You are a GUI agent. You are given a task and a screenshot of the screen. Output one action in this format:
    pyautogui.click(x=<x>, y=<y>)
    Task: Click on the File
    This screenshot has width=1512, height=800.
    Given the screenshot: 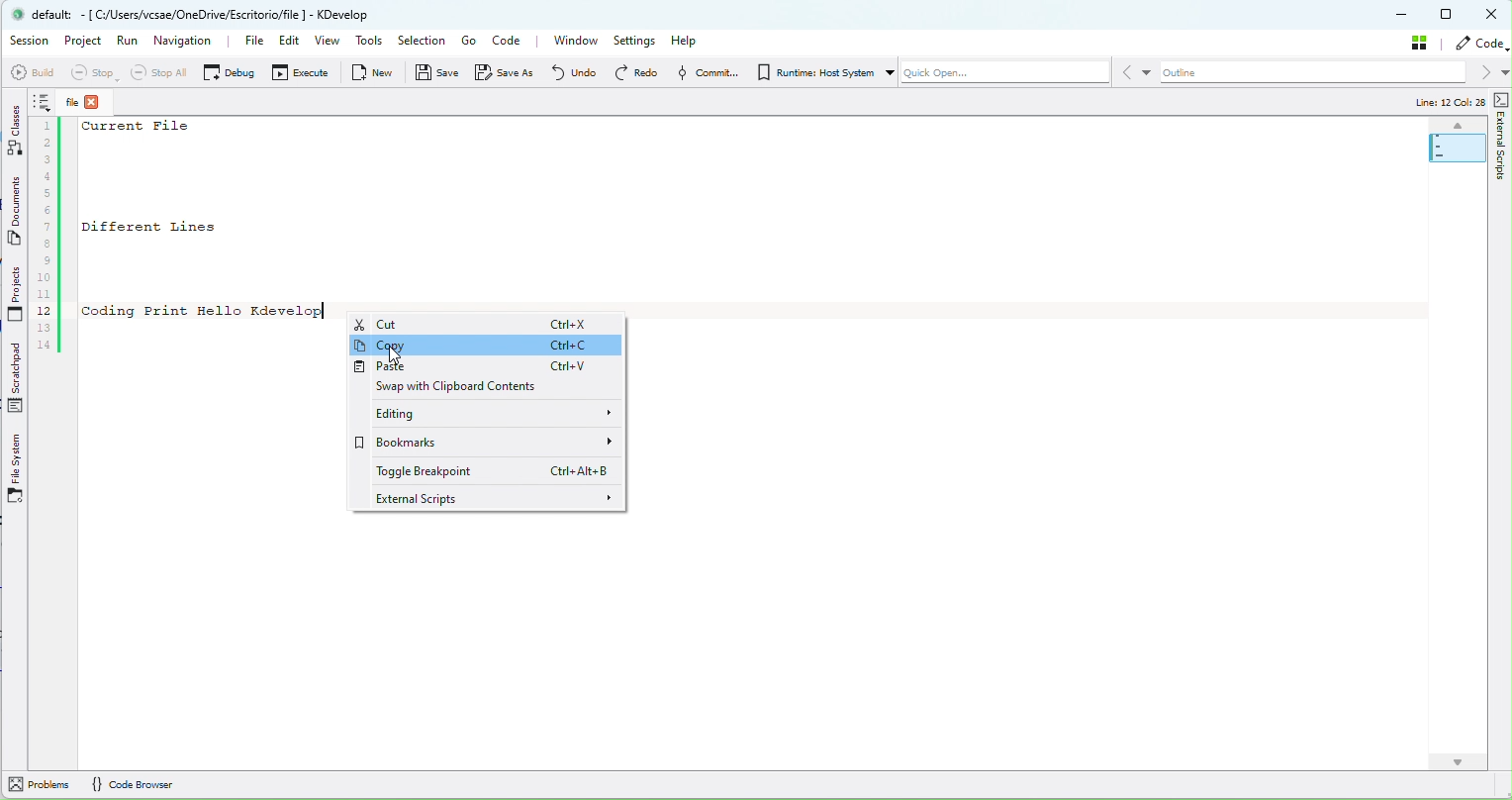 What is the action you would take?
    pyautogui.click(x=243, y=42)
    